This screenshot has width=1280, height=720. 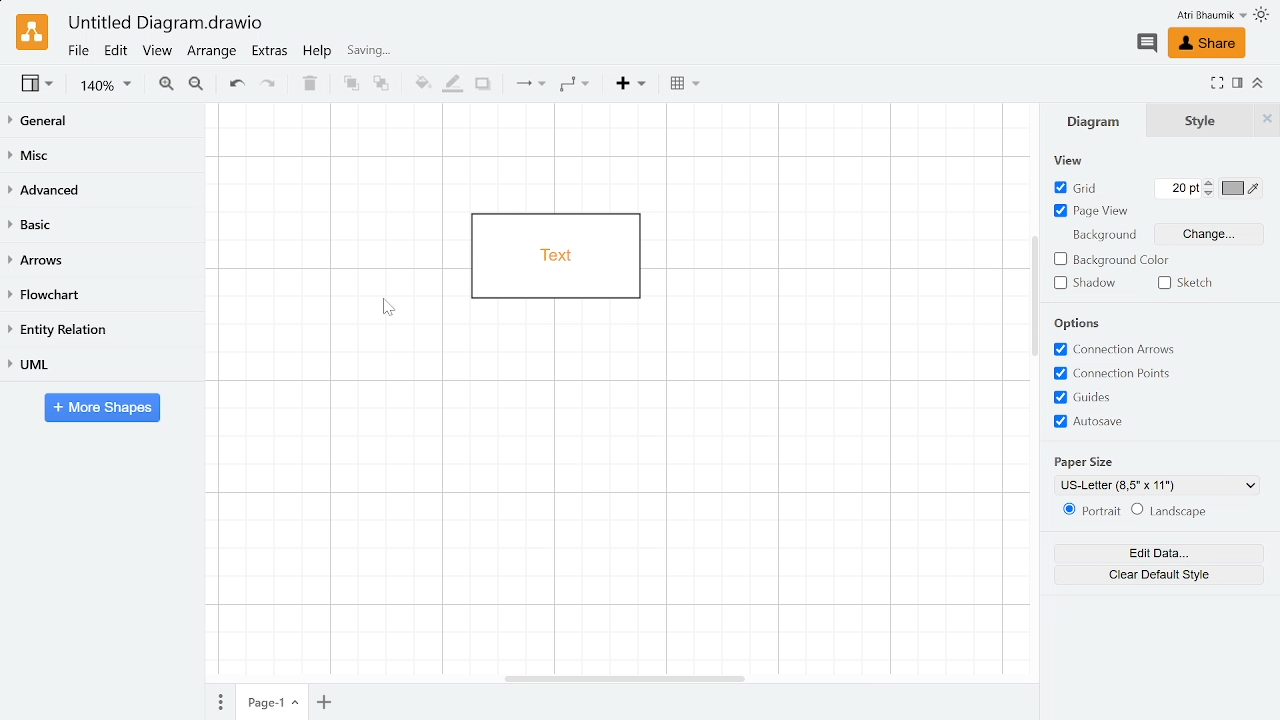 What do you see at coordinates (31, 32) in the screenshot?
I see `Drag.io logo` at bounding box center [31, 32].